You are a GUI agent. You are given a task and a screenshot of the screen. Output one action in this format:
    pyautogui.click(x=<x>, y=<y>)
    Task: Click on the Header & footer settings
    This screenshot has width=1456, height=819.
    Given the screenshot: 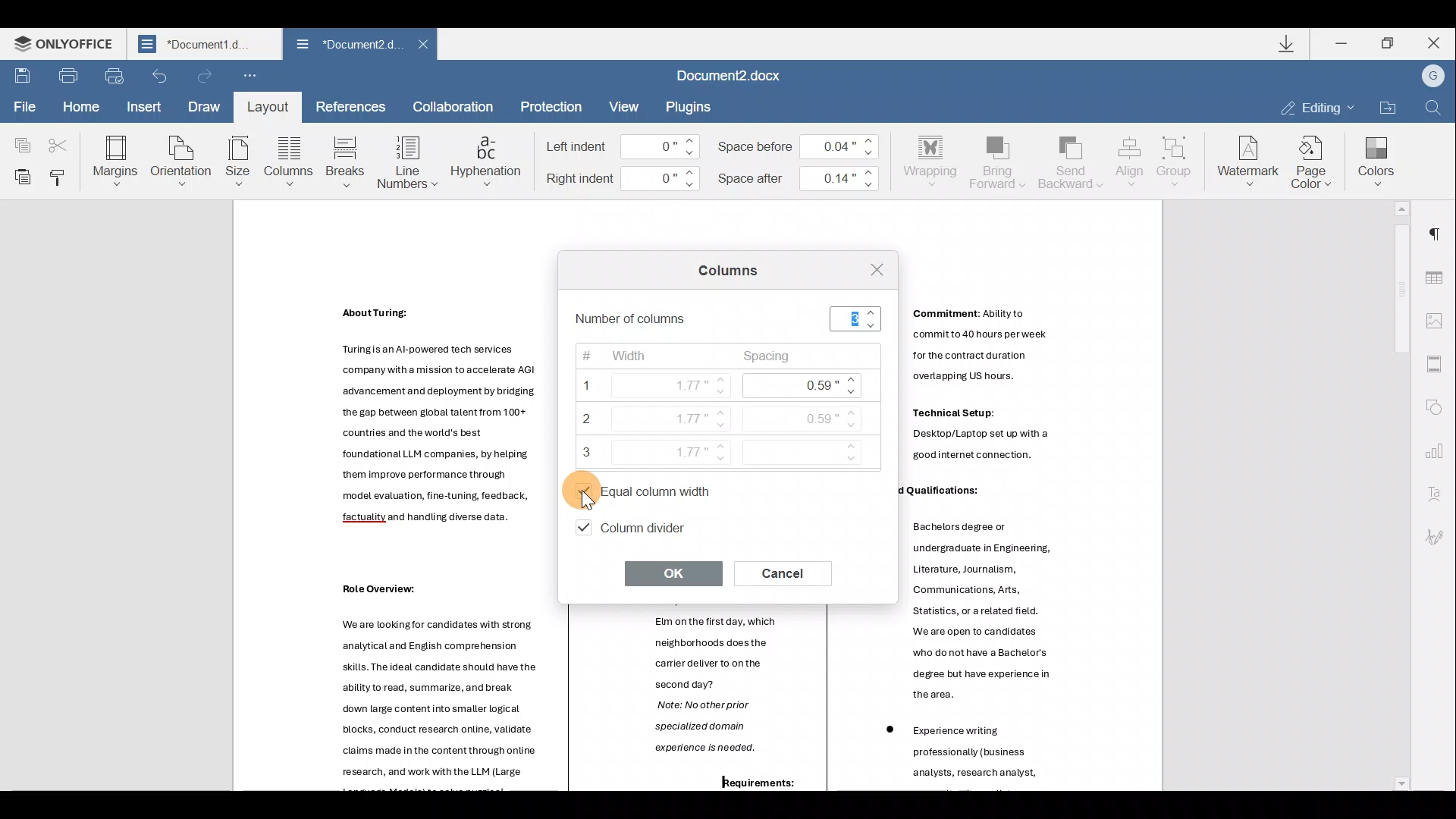 What is the action you would take?
    pyautogui.click(x=1438, y=368)
    